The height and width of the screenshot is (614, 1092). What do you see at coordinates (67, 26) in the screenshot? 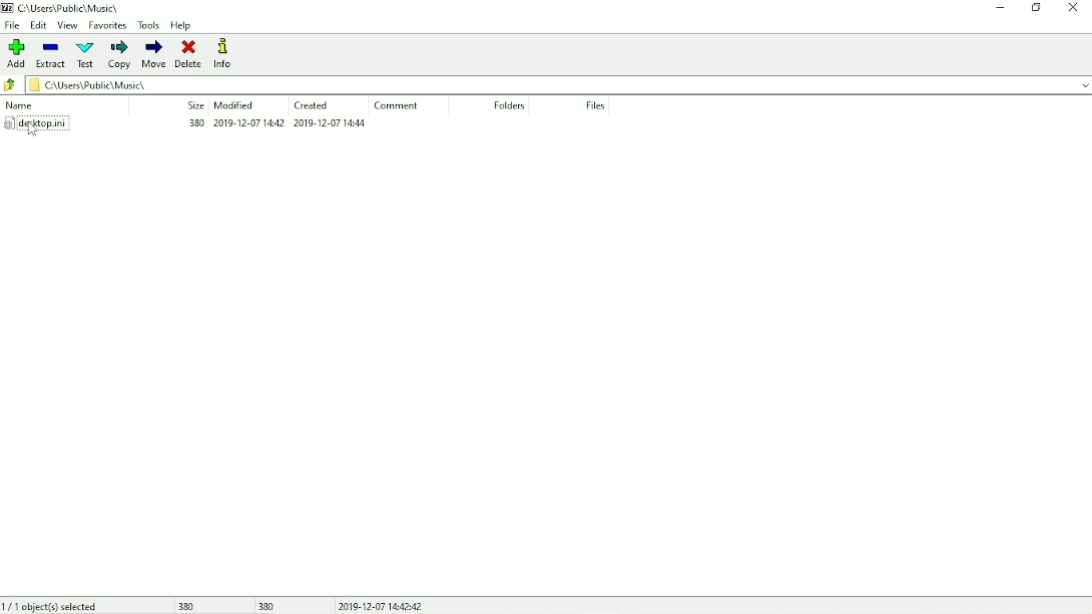
I see `View` at bounding box center [67, 26].